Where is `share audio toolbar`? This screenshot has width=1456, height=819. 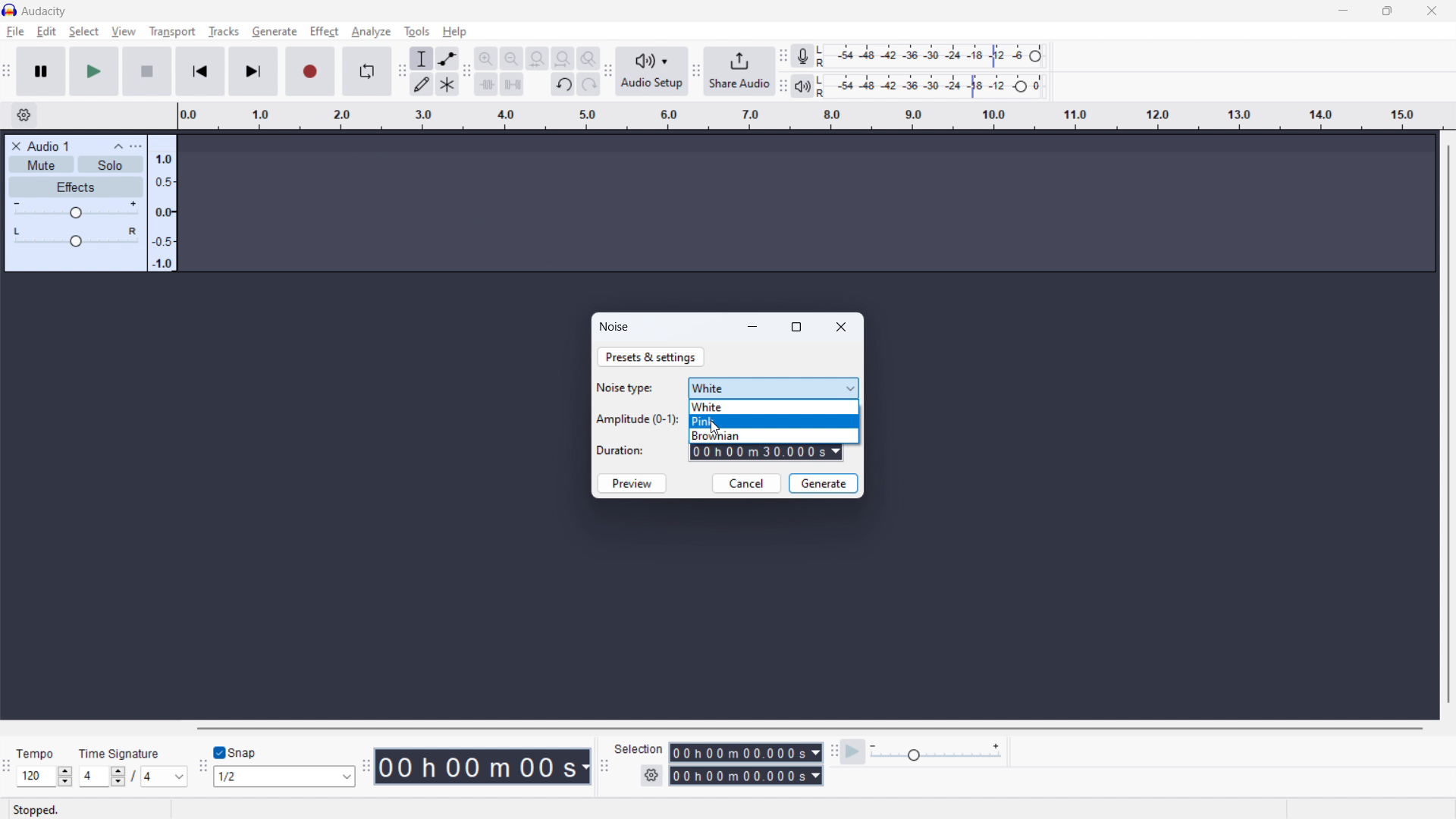
share audio toolbar is located at coordinates (696, 71).